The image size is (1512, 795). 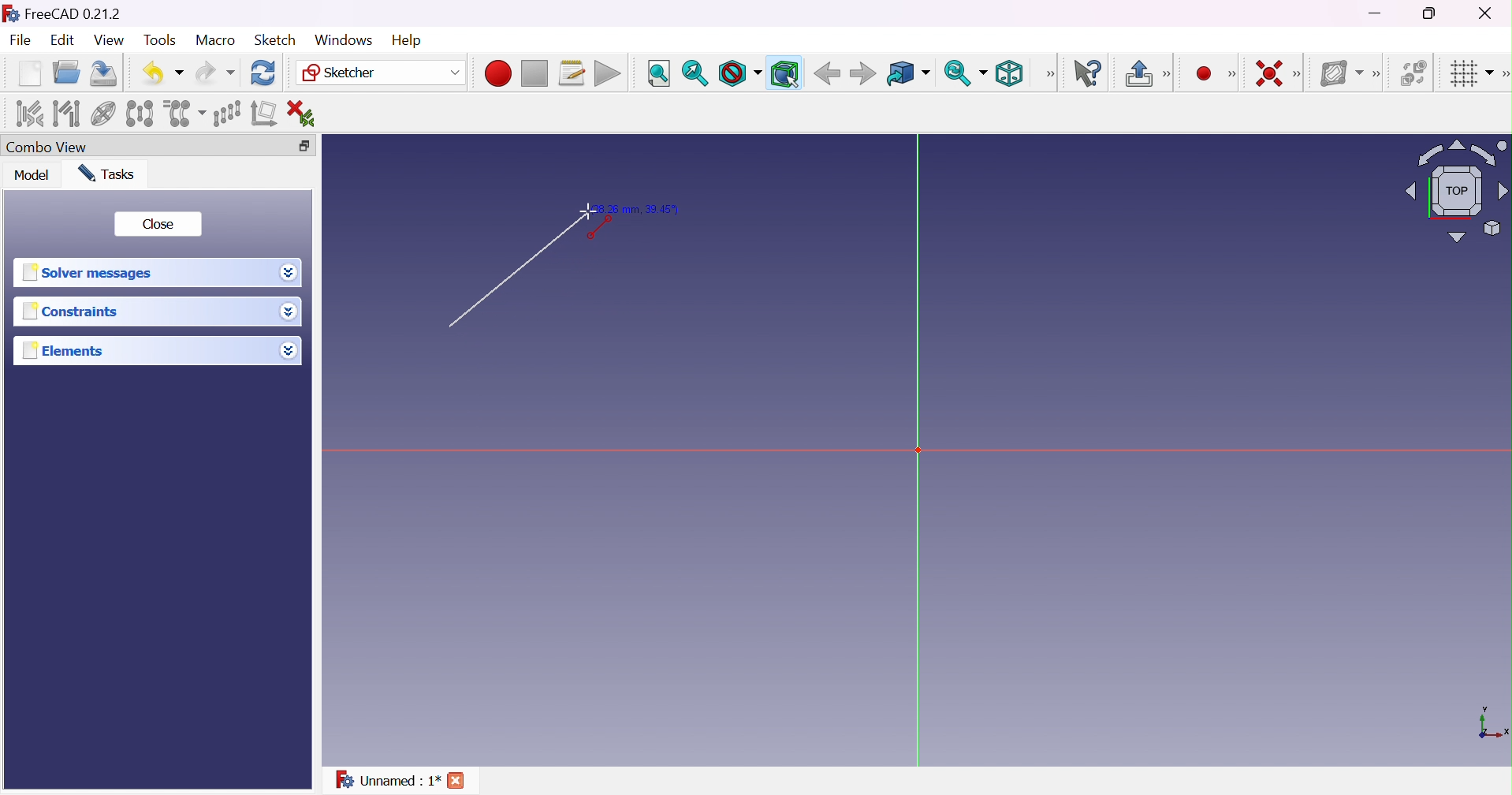 What do you see at coordinates (70, 313) in the screenshot?
I see `Constraints` at bounding box center [70, 313].